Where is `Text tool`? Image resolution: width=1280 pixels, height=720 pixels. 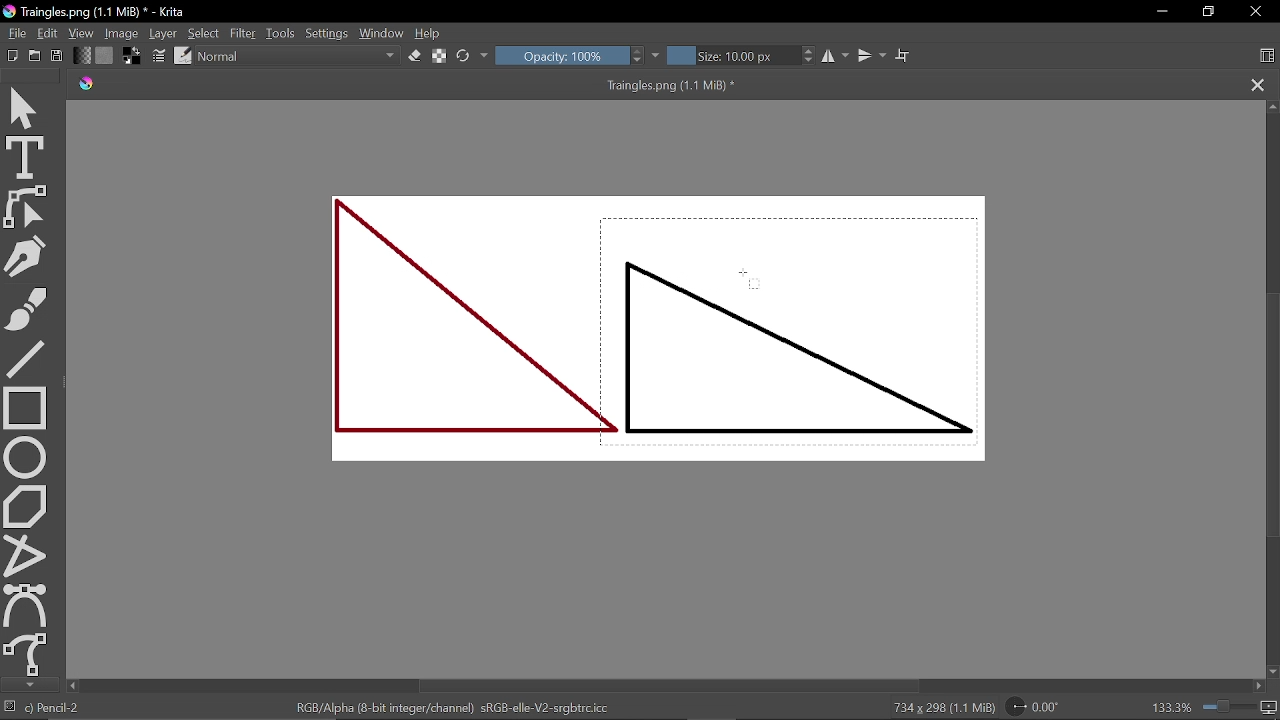
Text tool is located at coordinates (24, 159).